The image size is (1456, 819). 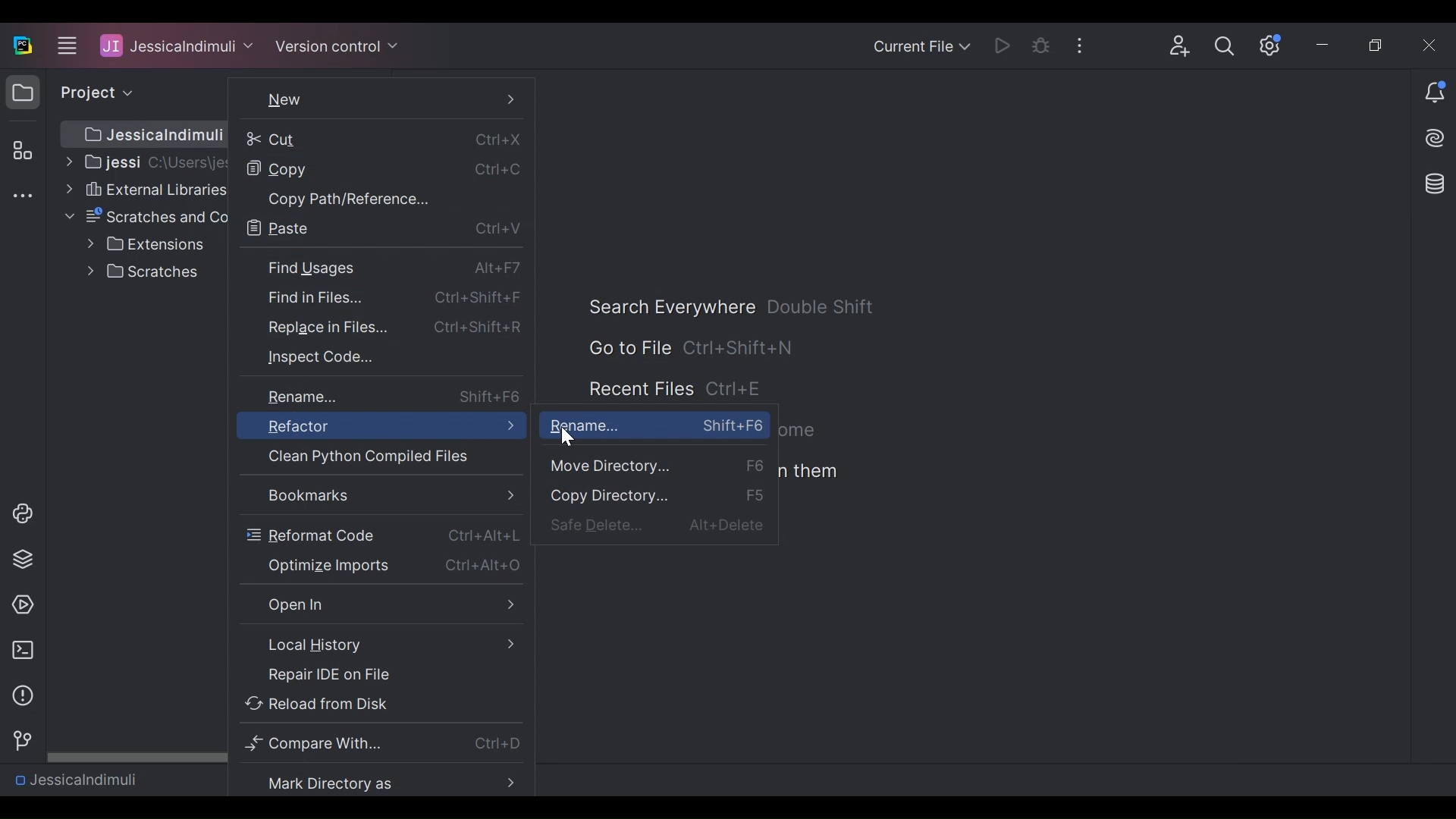 What do you see at coordinates (381, 99) in the screenshot?
I see `New` at bounding box center [381, 99].